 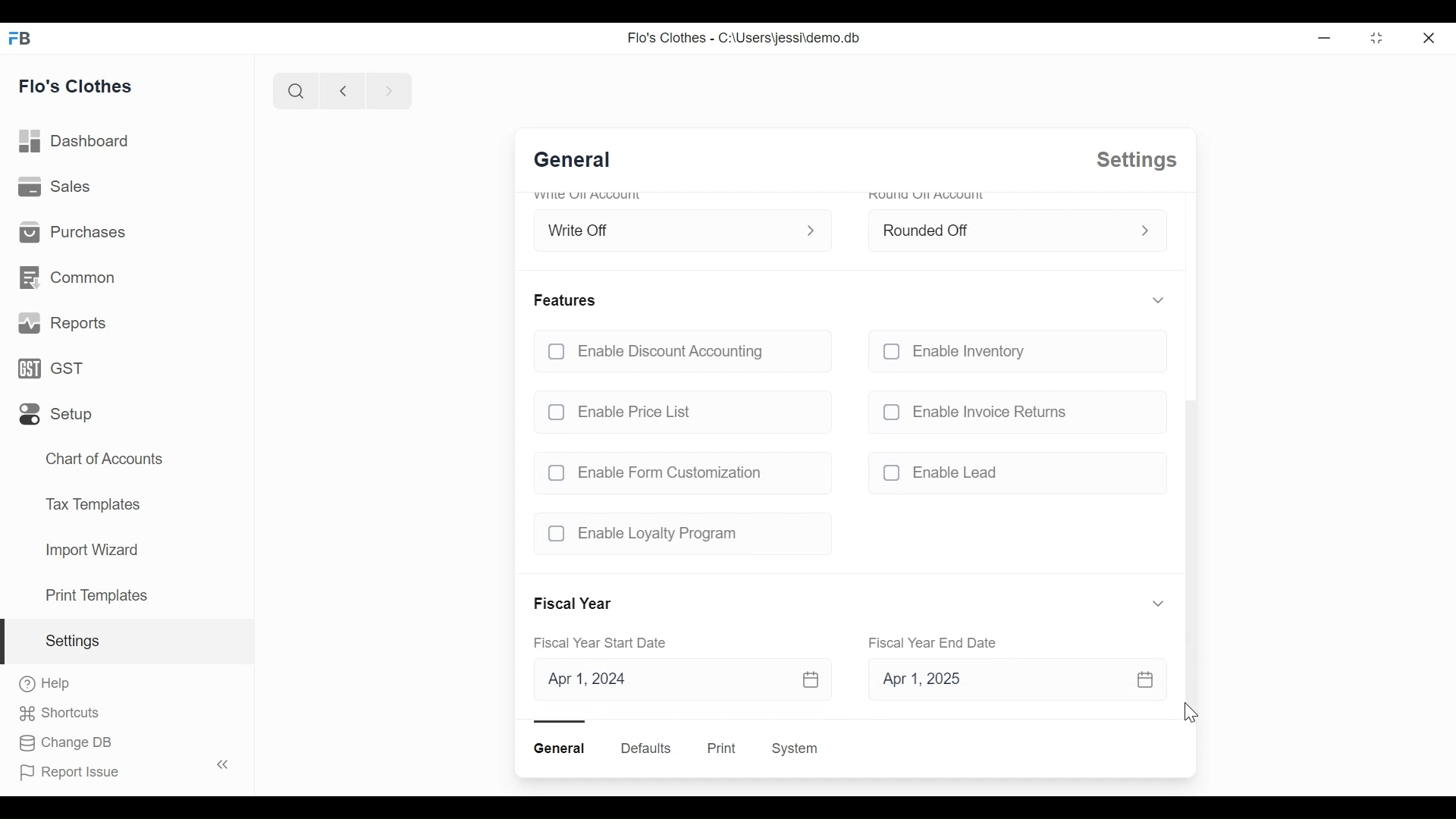 What do you see at coordinates (1194, 716) in the screenshot?
I see `cursor` at bounding box center [1194, 716].